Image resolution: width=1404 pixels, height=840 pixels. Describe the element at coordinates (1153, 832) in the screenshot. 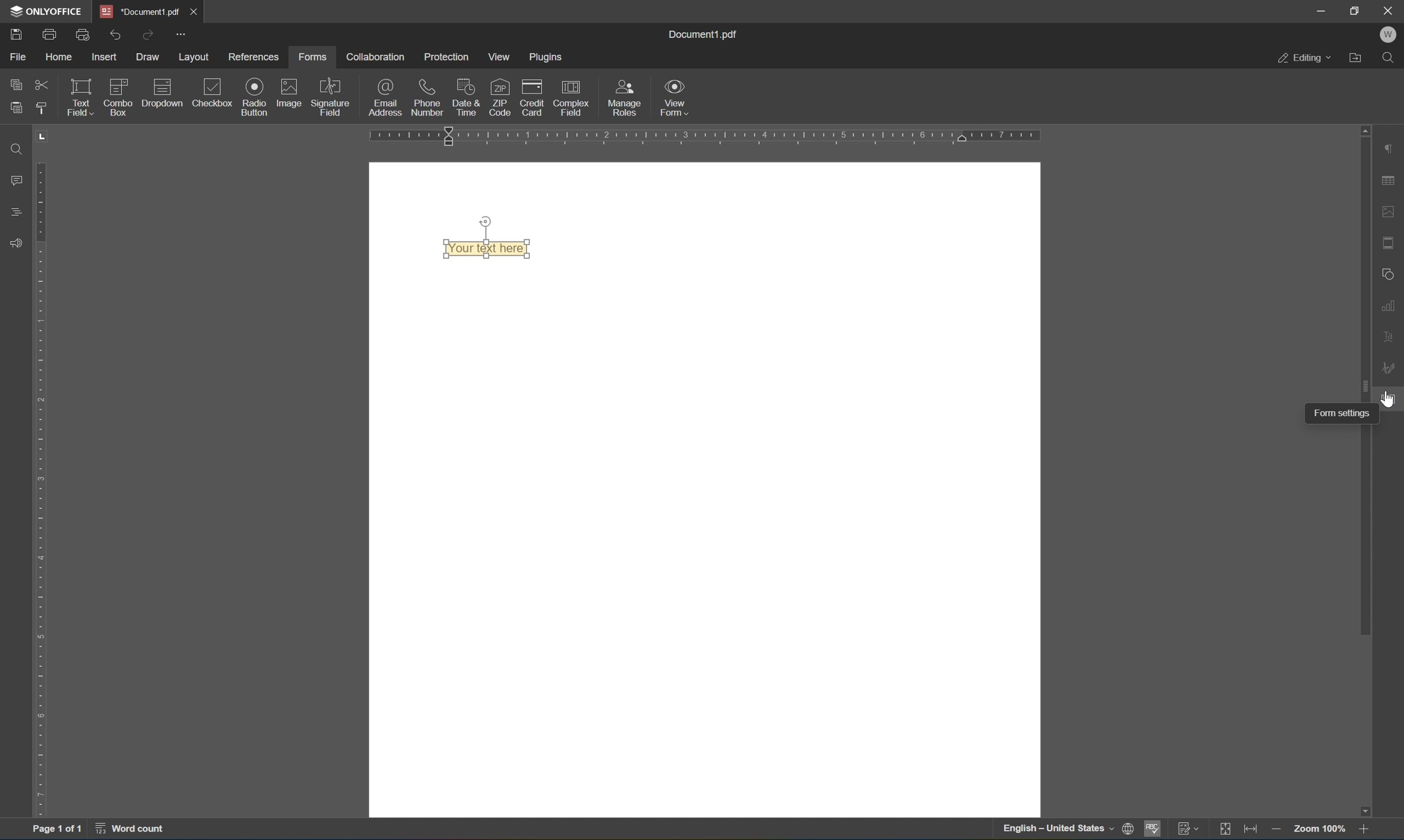

I see `spell checking` at that location.